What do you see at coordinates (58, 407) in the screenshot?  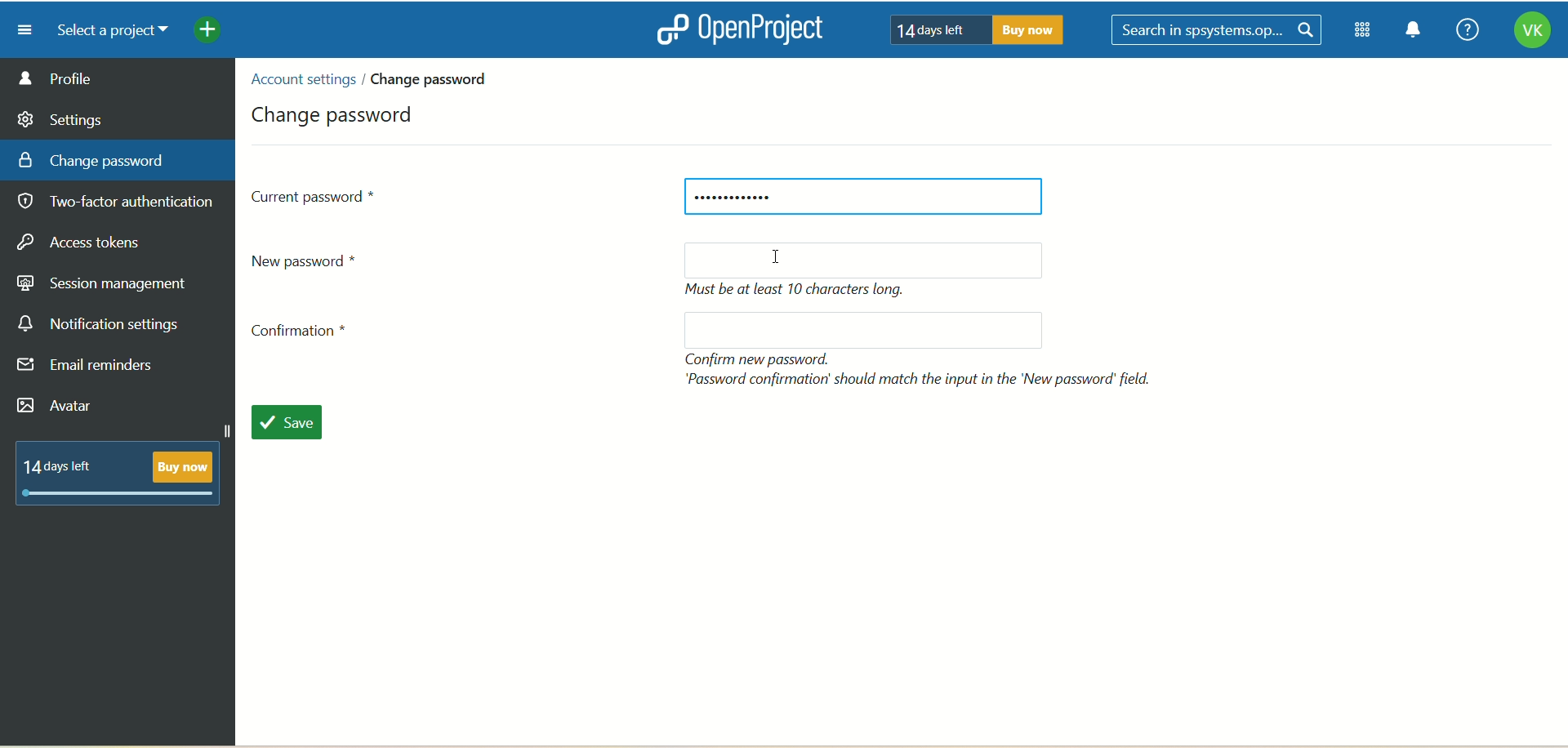 I see `avatar` at bounding box center [58, 407].